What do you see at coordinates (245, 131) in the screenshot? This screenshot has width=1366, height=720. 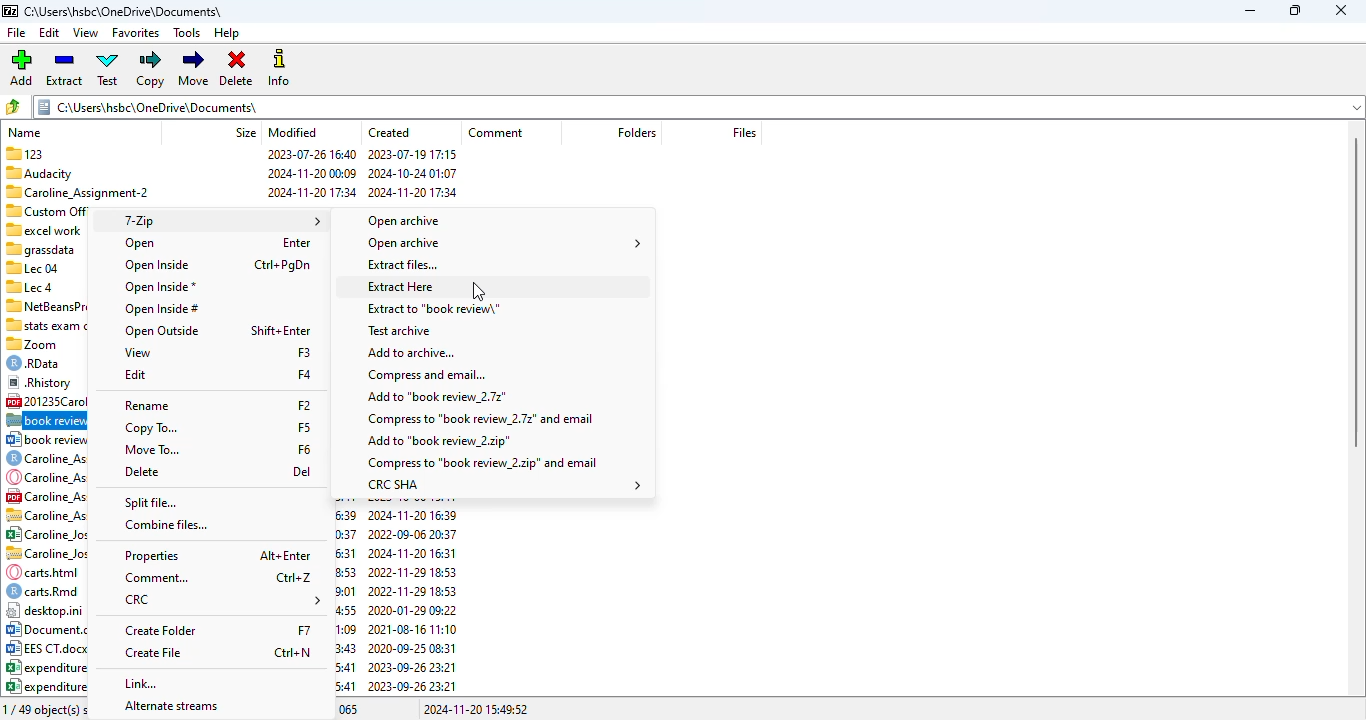 I see `size` at bounding box center [245, 131].